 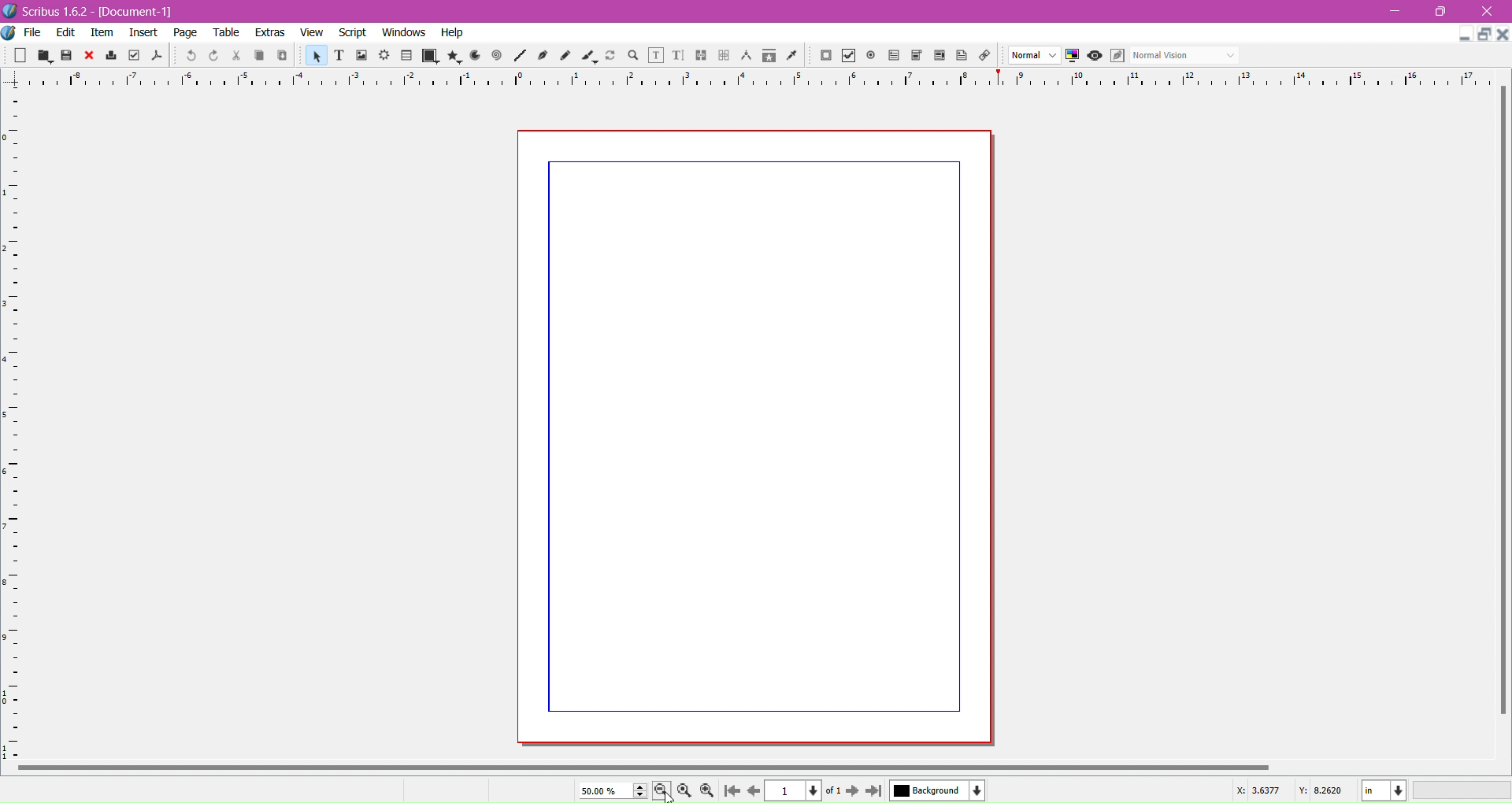 What do you see at coordinates (685, 791) in the screenshot?
I see `Zoom to 100%` at bounding box center [685, 791].